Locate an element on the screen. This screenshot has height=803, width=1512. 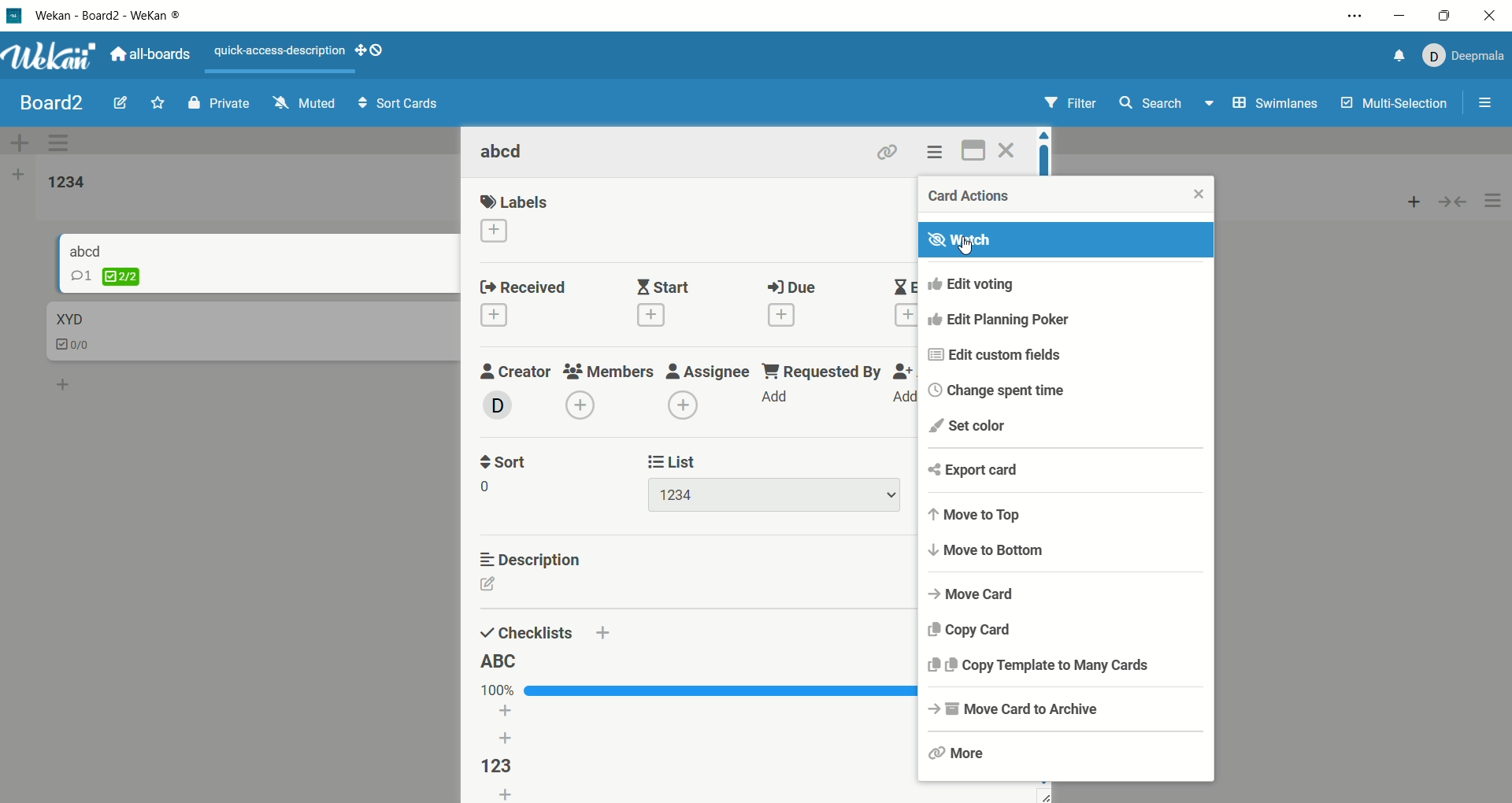
sort is located at coordinates (507, 472).